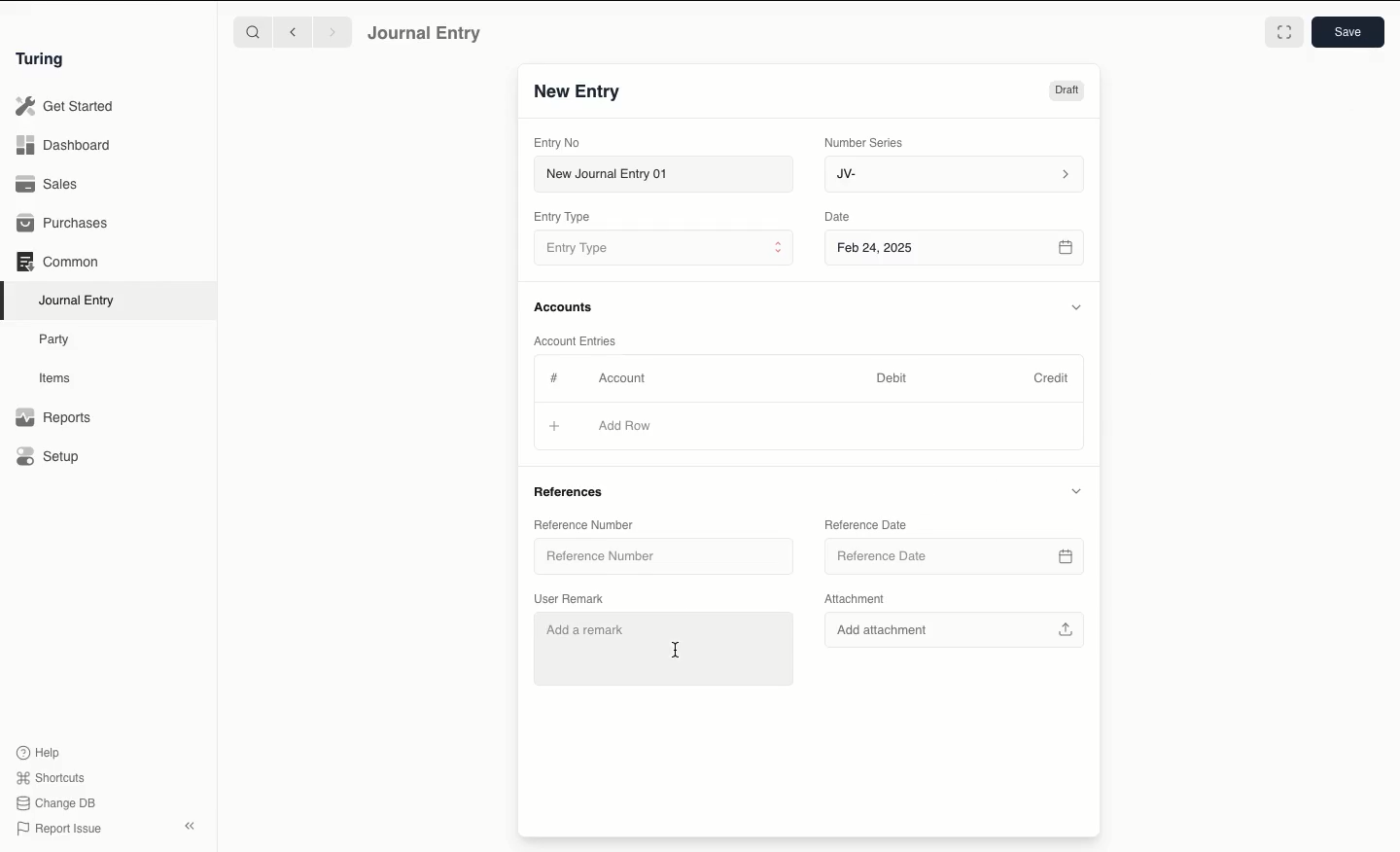  Describe the element at coordinates (55, 377) in the screenshot. I see `Items` at that location.